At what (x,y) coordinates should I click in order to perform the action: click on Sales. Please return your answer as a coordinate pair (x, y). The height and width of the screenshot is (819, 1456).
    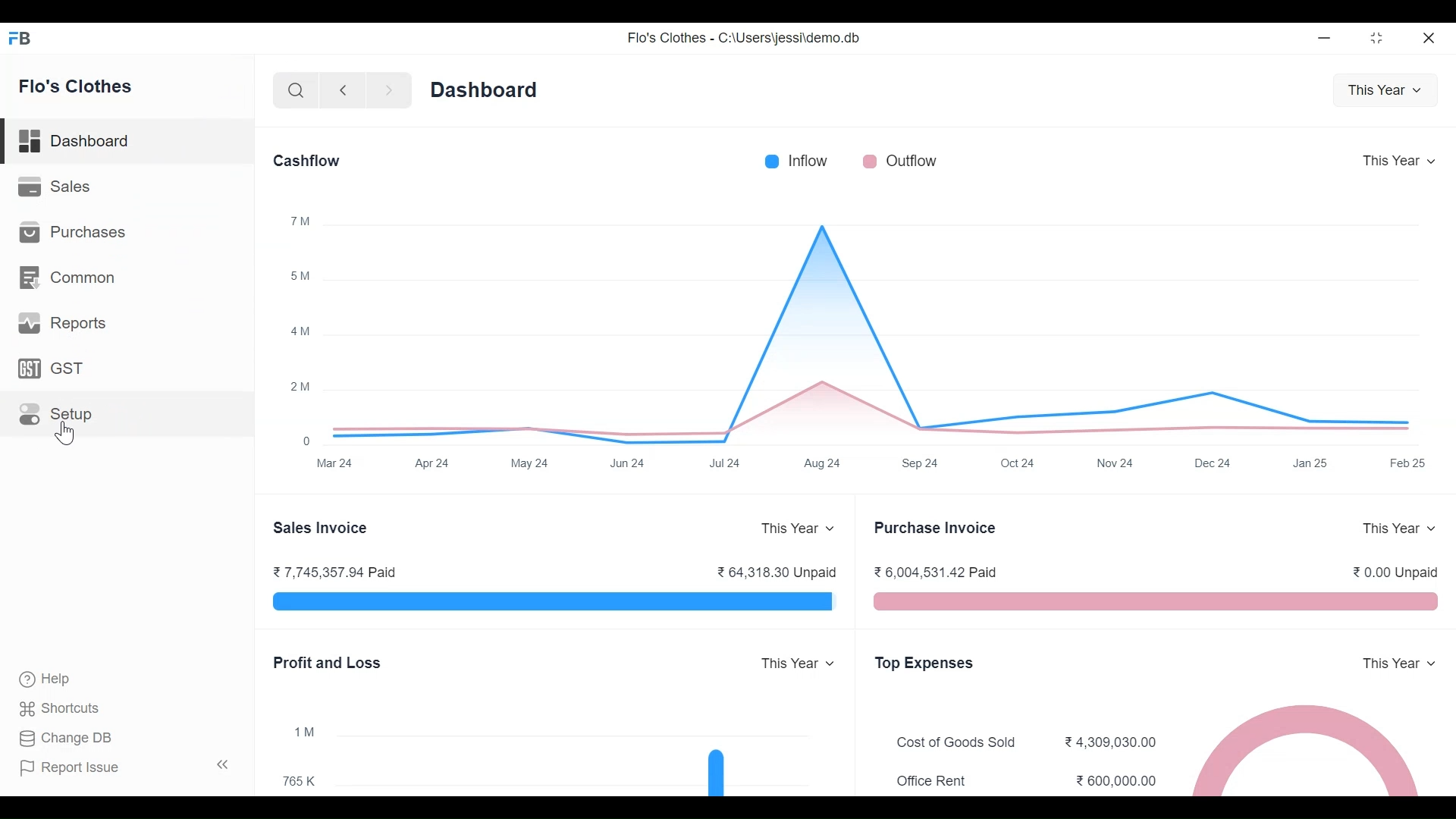
    Looking at the image, I should click on (55, 187).